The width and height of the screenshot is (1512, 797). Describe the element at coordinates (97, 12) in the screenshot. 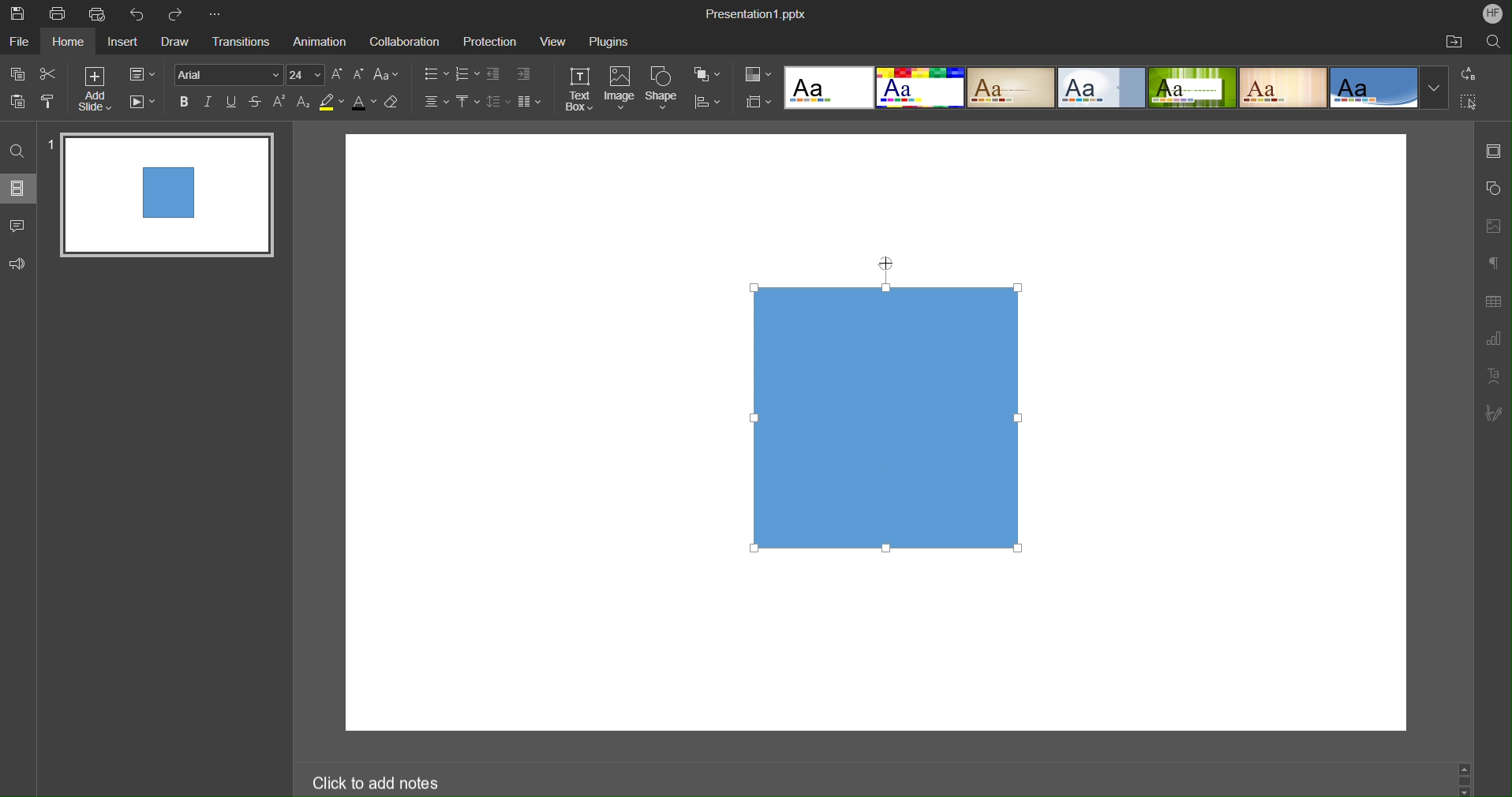

I see `Quick Print` at that location.